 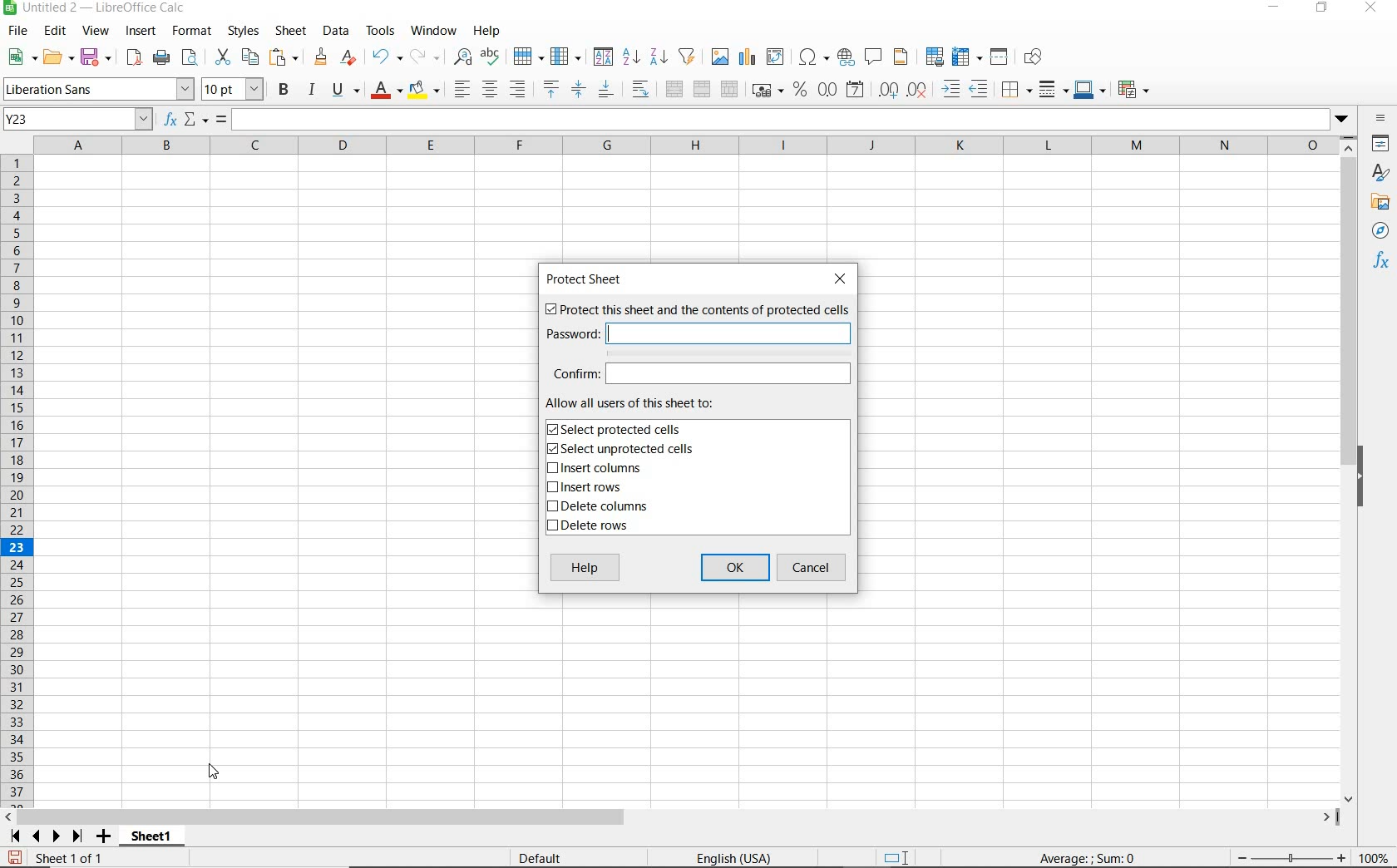 What do you see at coordinates (640, 90) in the screenshot?
I see `WRAP TEXT` at bounding box center [640, 90].